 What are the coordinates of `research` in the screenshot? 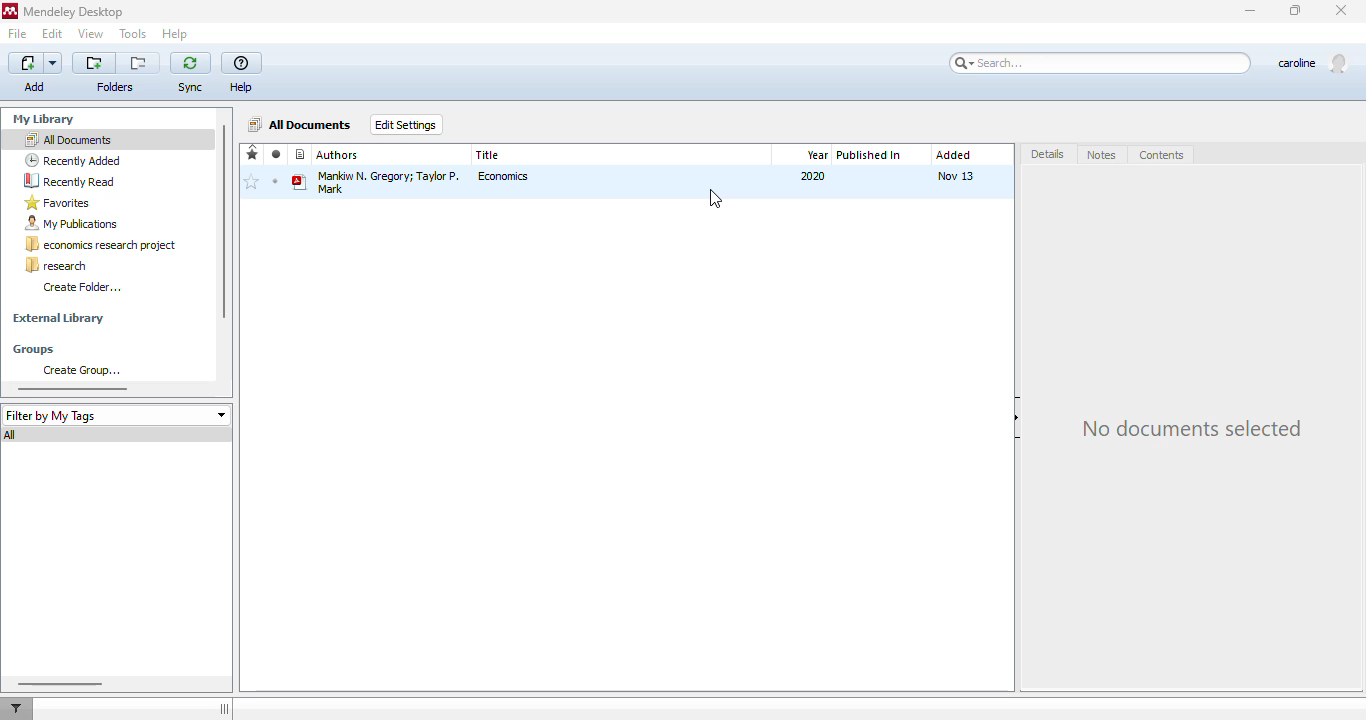 It's located at (56, 265).